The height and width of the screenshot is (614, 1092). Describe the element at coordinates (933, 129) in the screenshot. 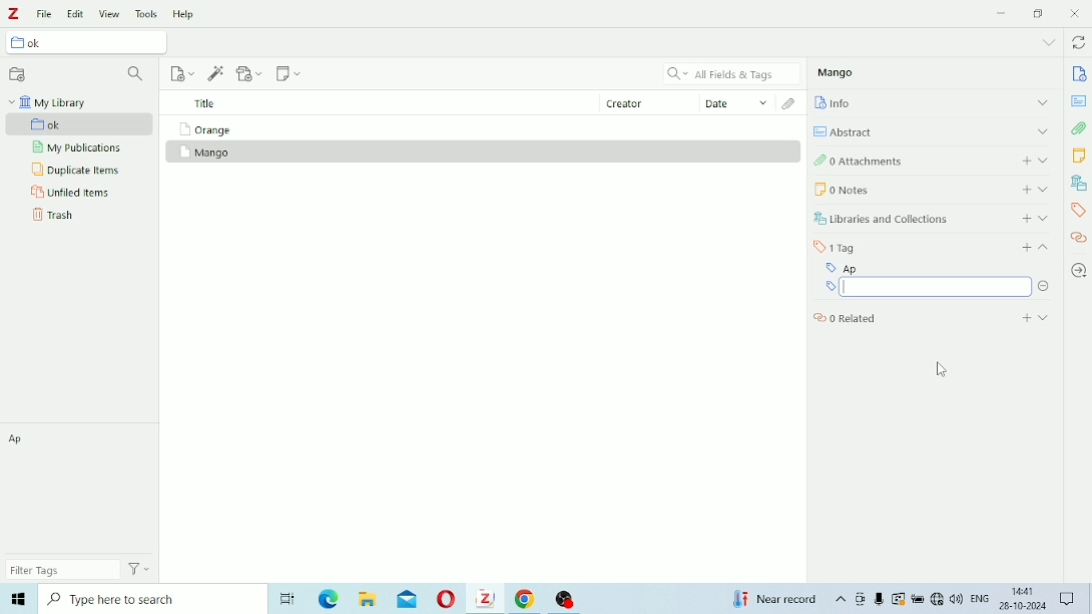

I see `Abstract` at that location.